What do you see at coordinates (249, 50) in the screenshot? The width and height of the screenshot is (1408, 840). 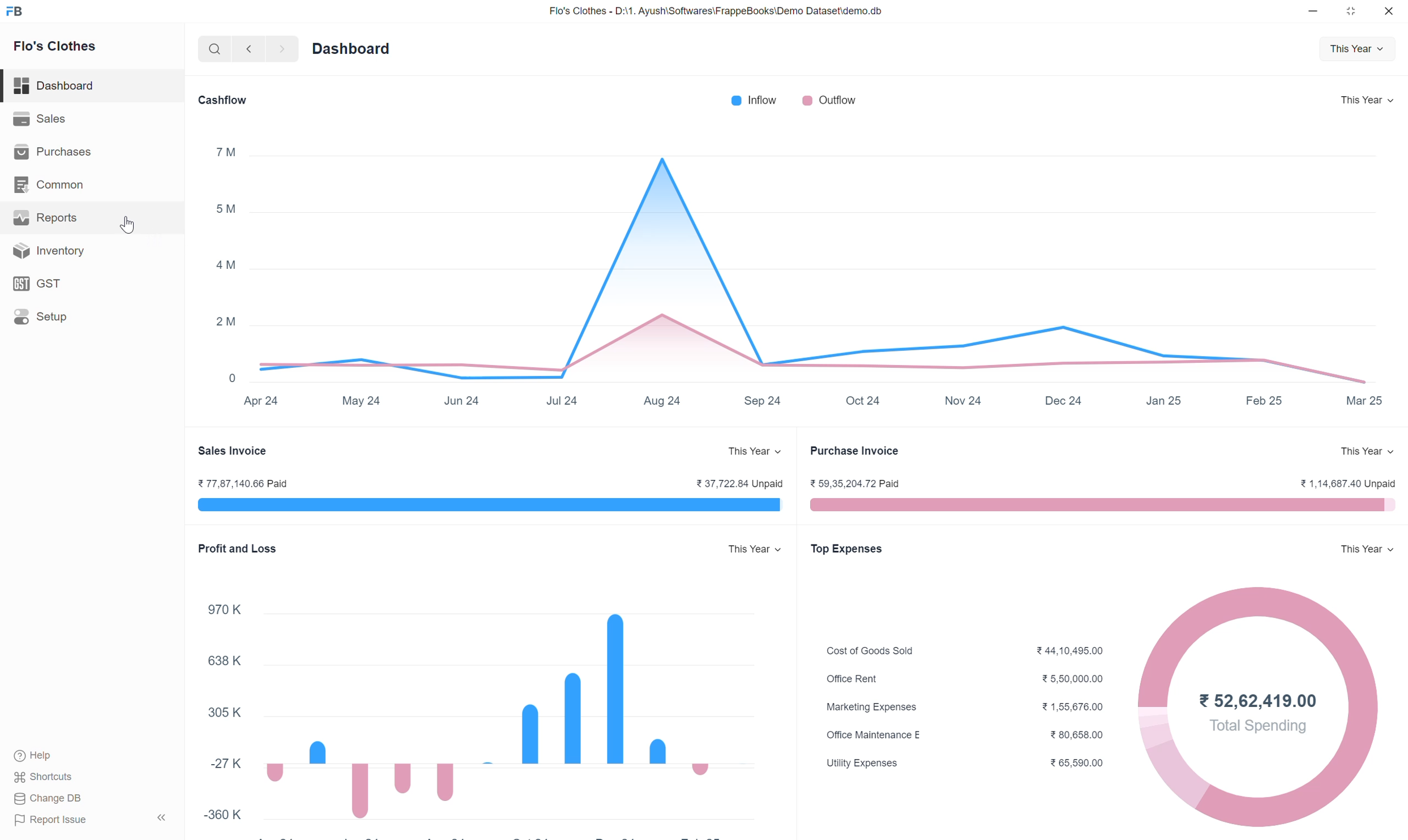 I see `backward` at bounding box center [249, 50].